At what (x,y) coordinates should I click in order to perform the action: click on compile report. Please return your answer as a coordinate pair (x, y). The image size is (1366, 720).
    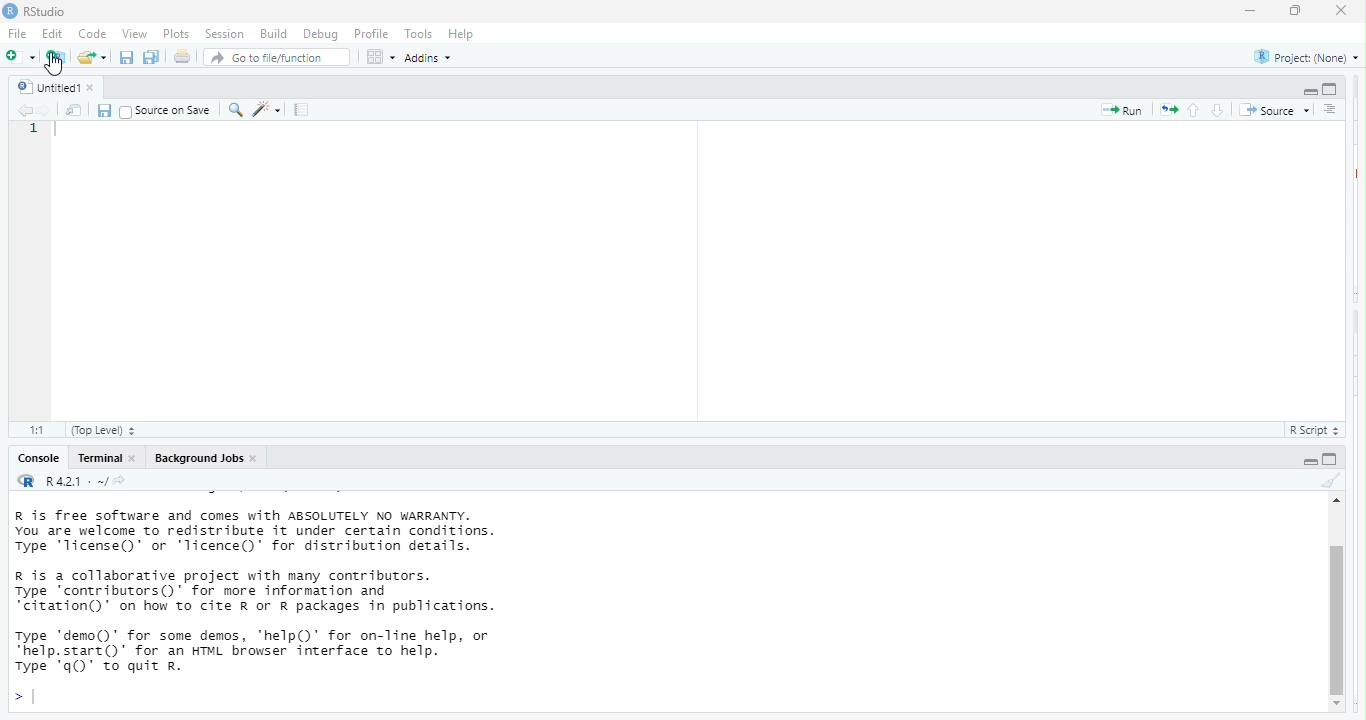
    Looking at the image, I should click on (304, 111).